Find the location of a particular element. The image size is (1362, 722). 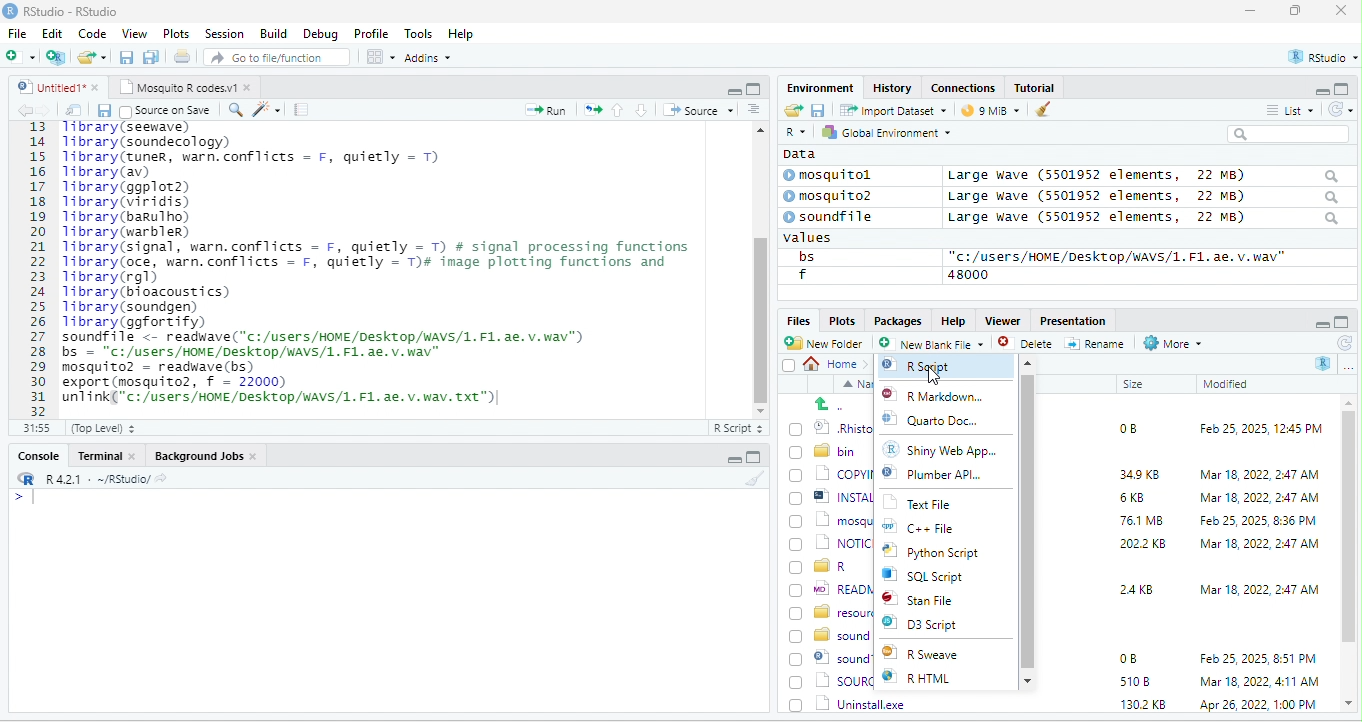

Uninstall.exe is located at coordinates (849, 703).